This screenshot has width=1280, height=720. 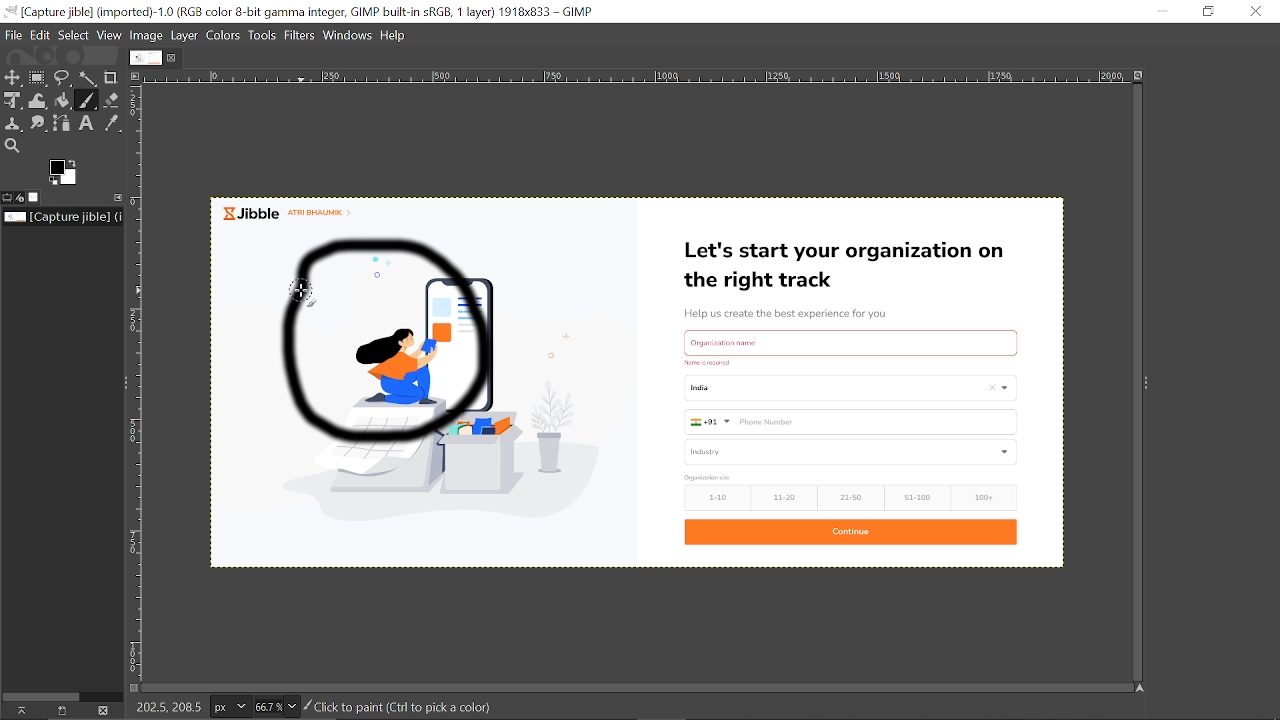 What do you see at coordinates (1146, 383) in the screenshot?
I see `Expand` at bounding box center [1146, 383].